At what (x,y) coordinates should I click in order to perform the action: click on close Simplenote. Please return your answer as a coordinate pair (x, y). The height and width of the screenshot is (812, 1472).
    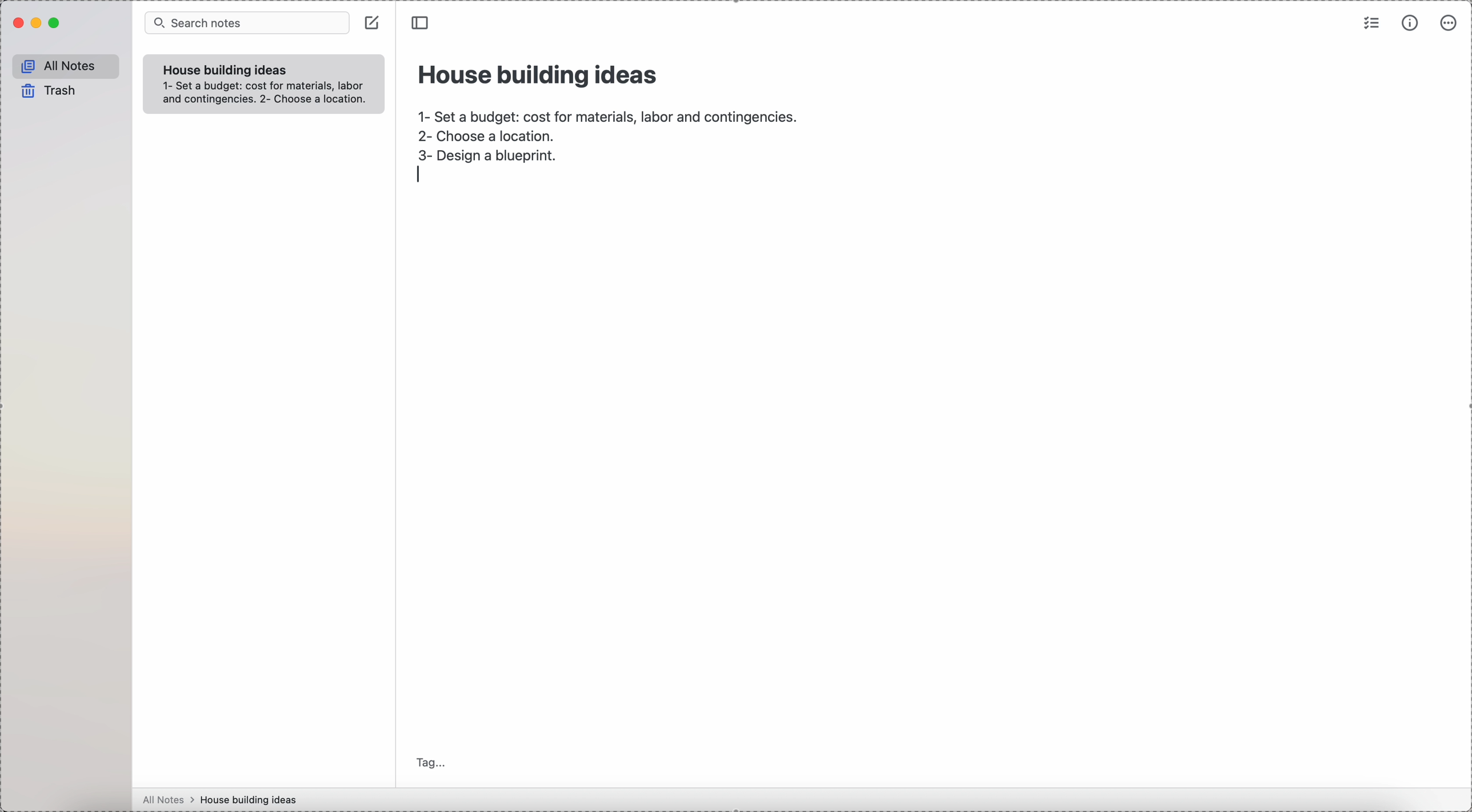
    Looking at the image, I should click on (18, 23).